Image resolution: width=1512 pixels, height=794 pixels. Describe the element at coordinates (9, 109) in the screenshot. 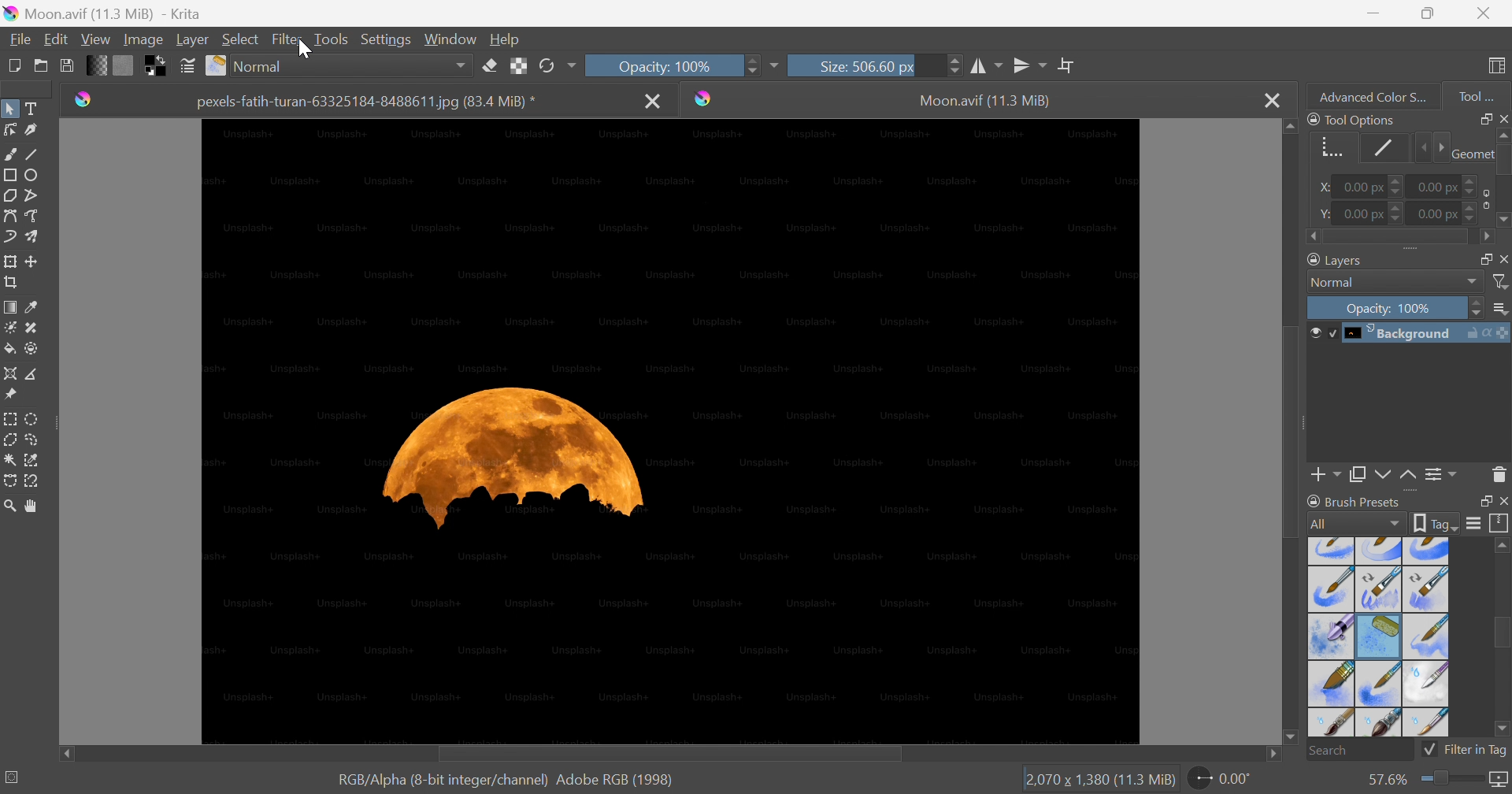

I see `Select shapes tool` at that location.